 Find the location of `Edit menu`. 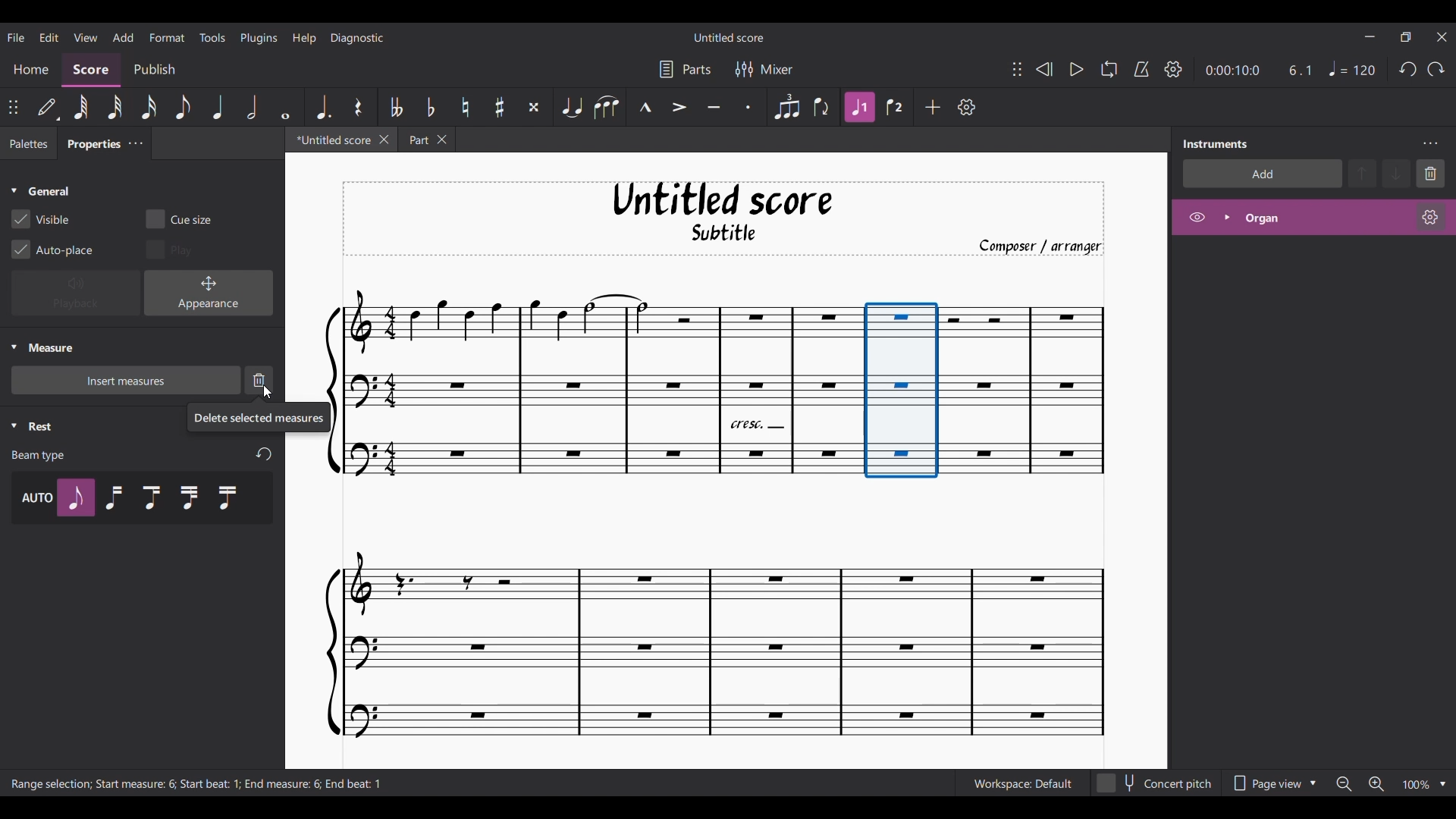

Edit menu is located at coordinates (49, 36).